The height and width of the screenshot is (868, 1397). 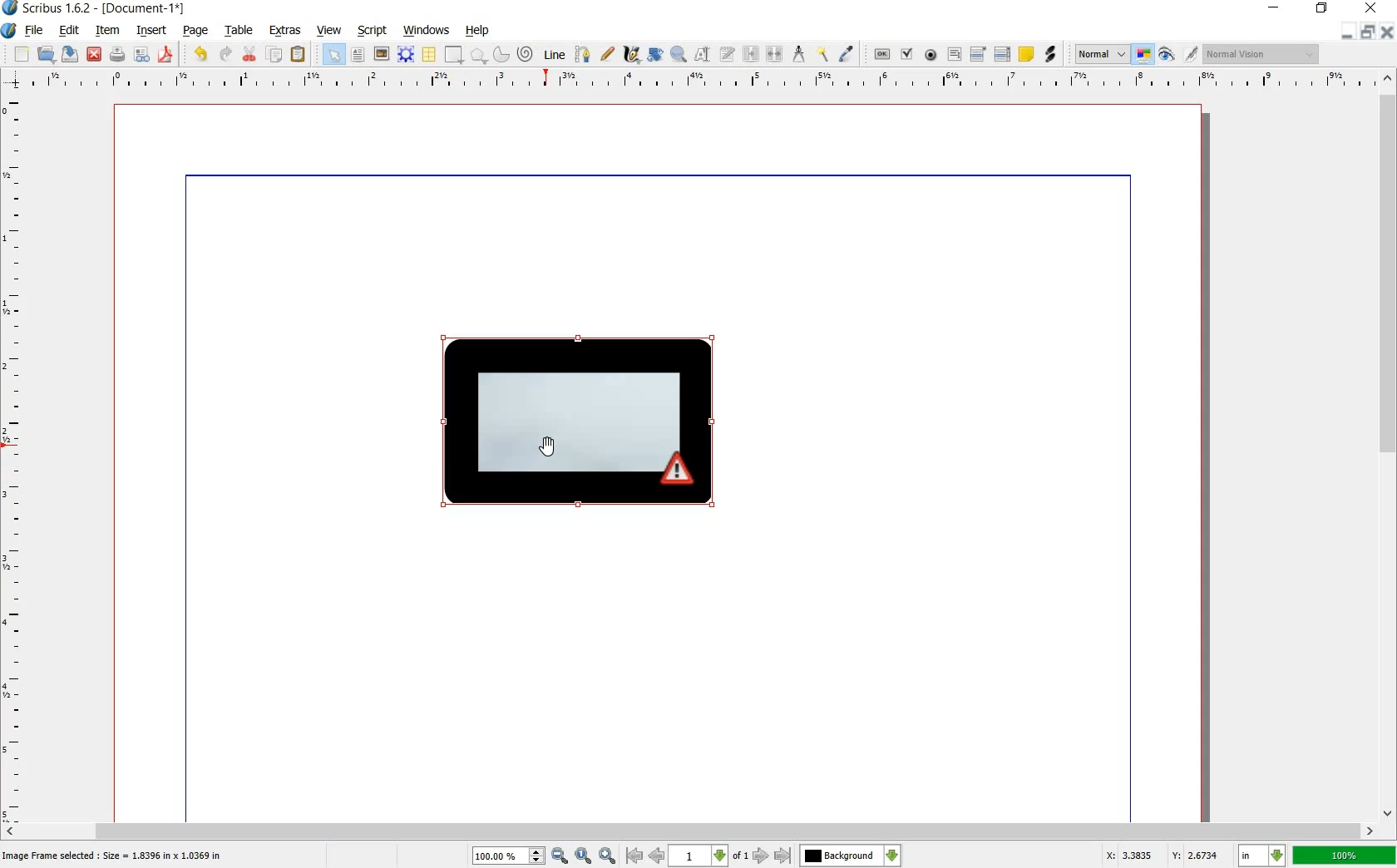 I want to click on Zoom out, so click(x=610, y=856).